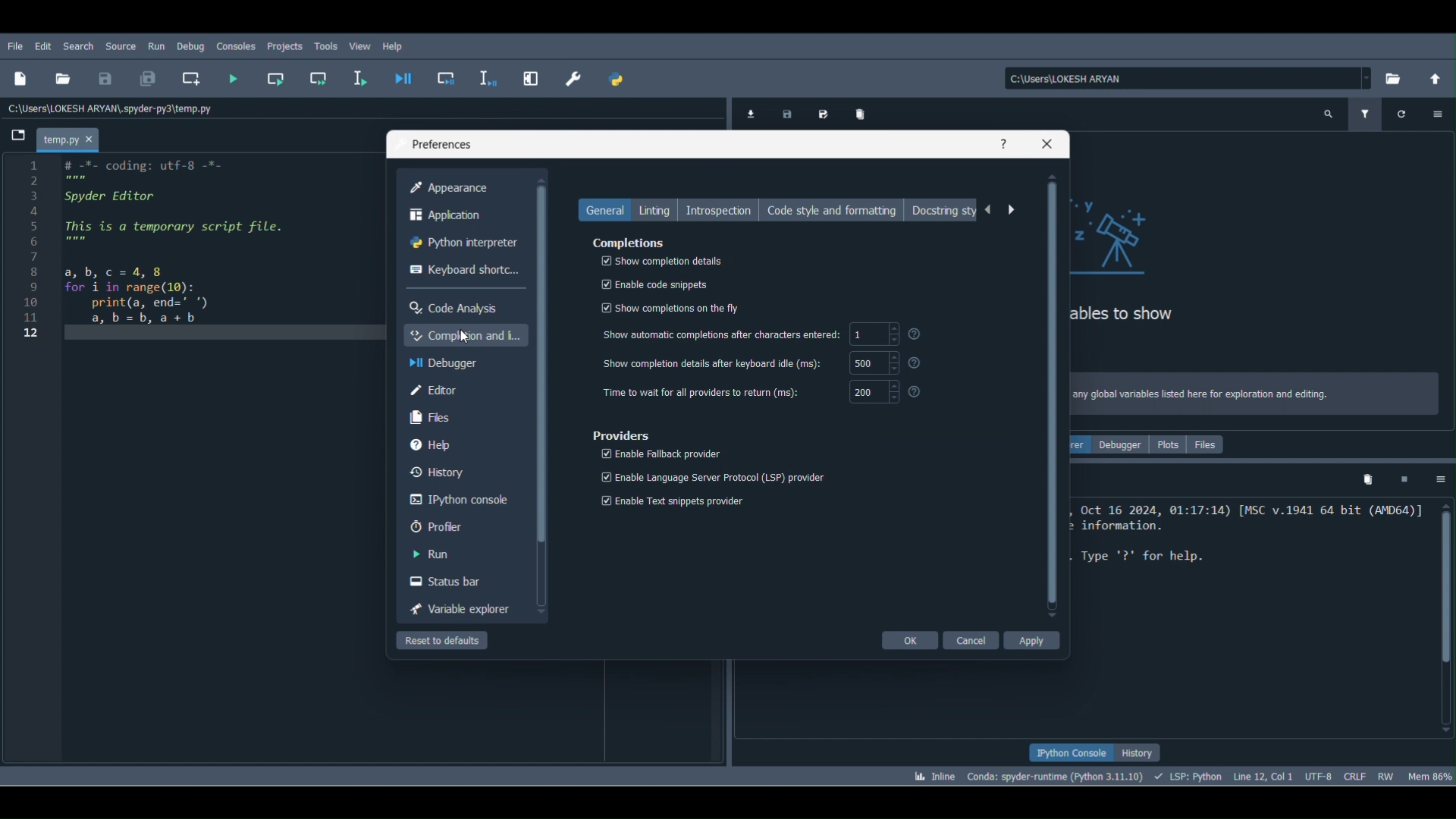 This screenshot has height=819, width=1456. I want to click on Preferences, so click(441, 145).